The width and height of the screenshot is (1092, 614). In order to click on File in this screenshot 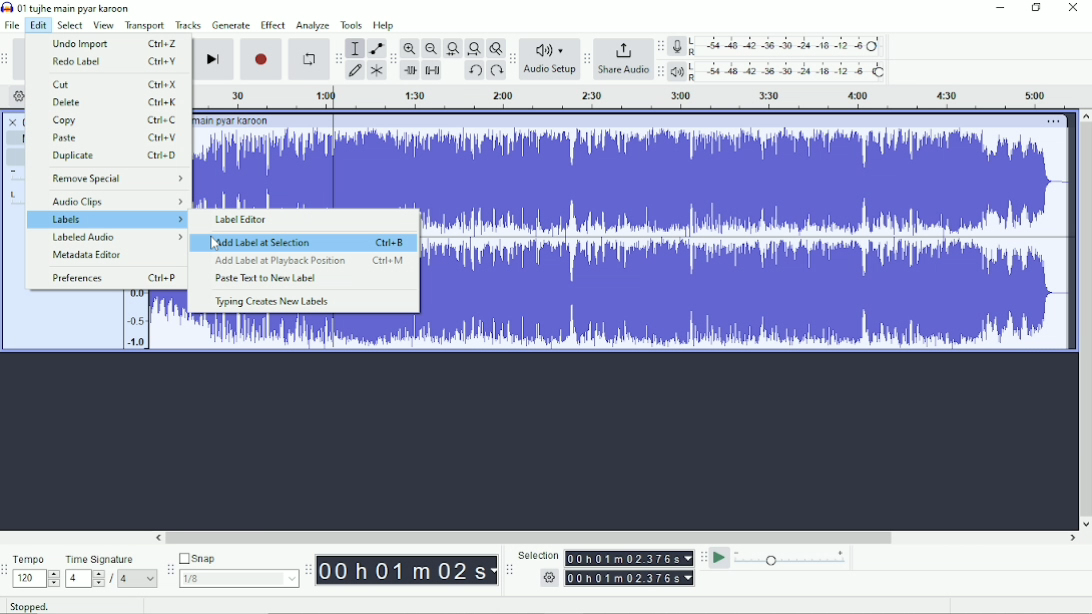, I will do `click(11, 25)`.